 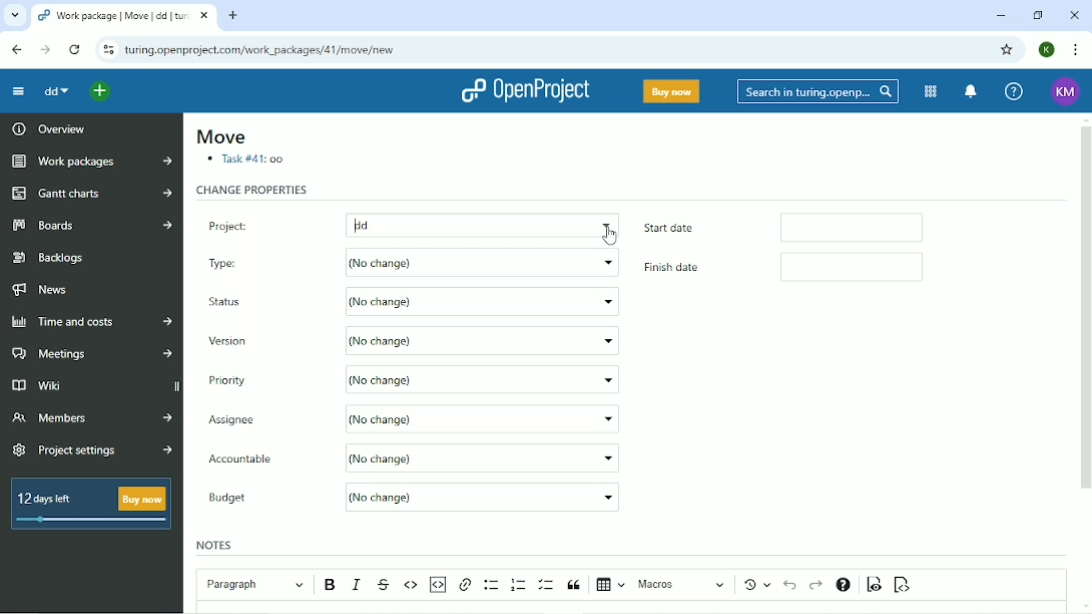 I want to click on Version, so click(x=232, y=342).